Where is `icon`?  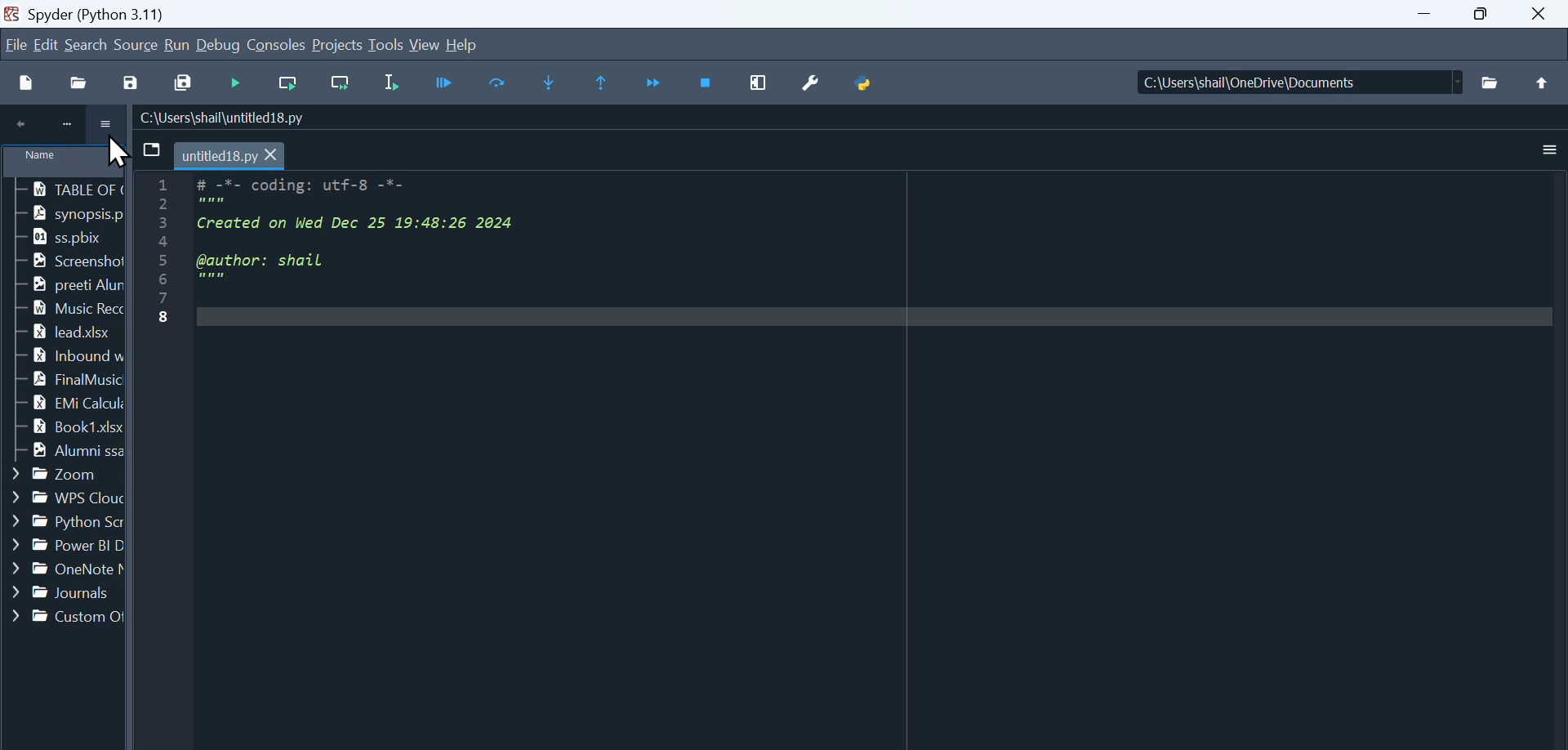
icon is located at coordinates (61, 126).